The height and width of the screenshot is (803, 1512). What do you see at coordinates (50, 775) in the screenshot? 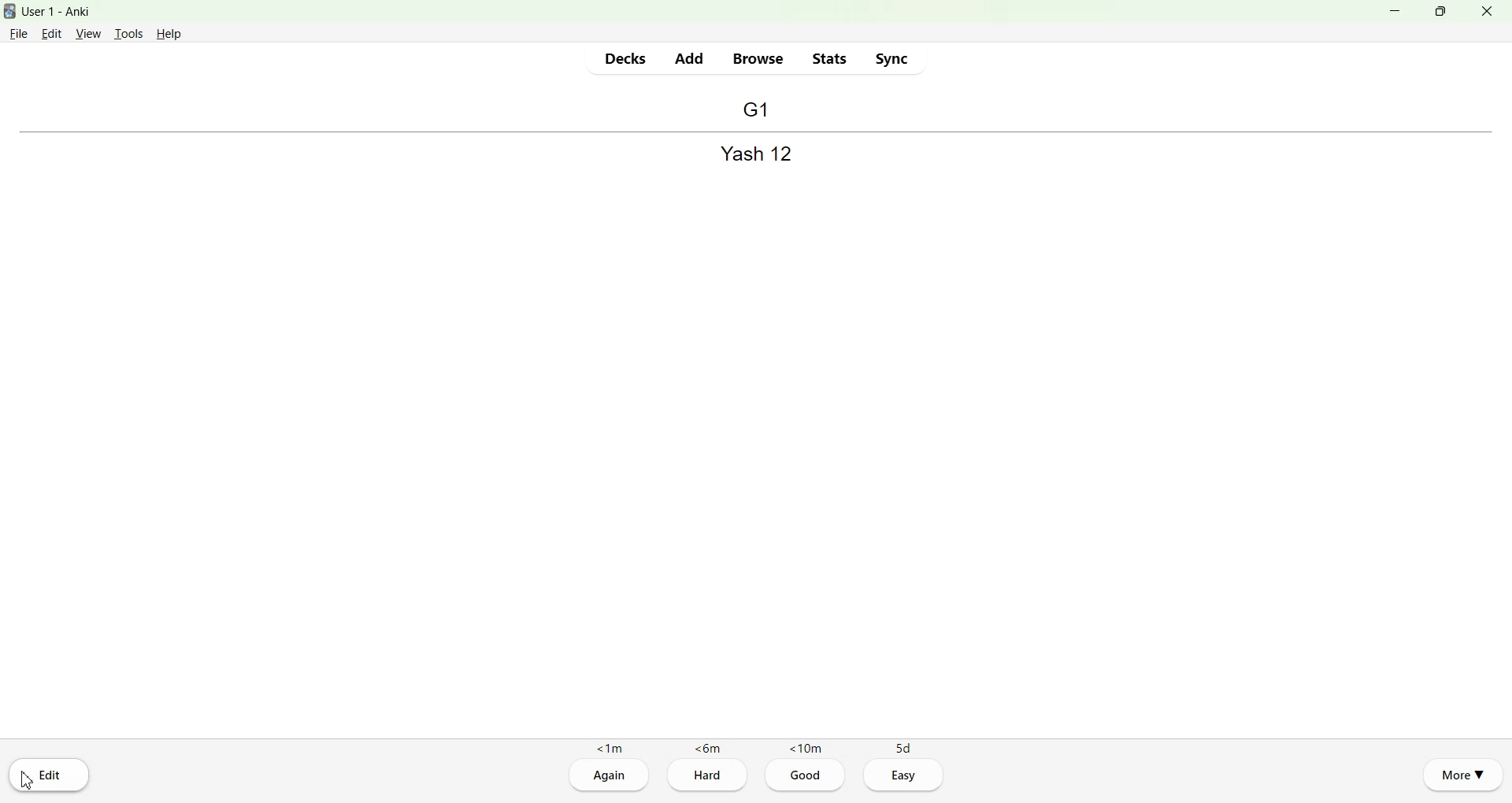
I see `Edit` at bounding box center [50, 775].